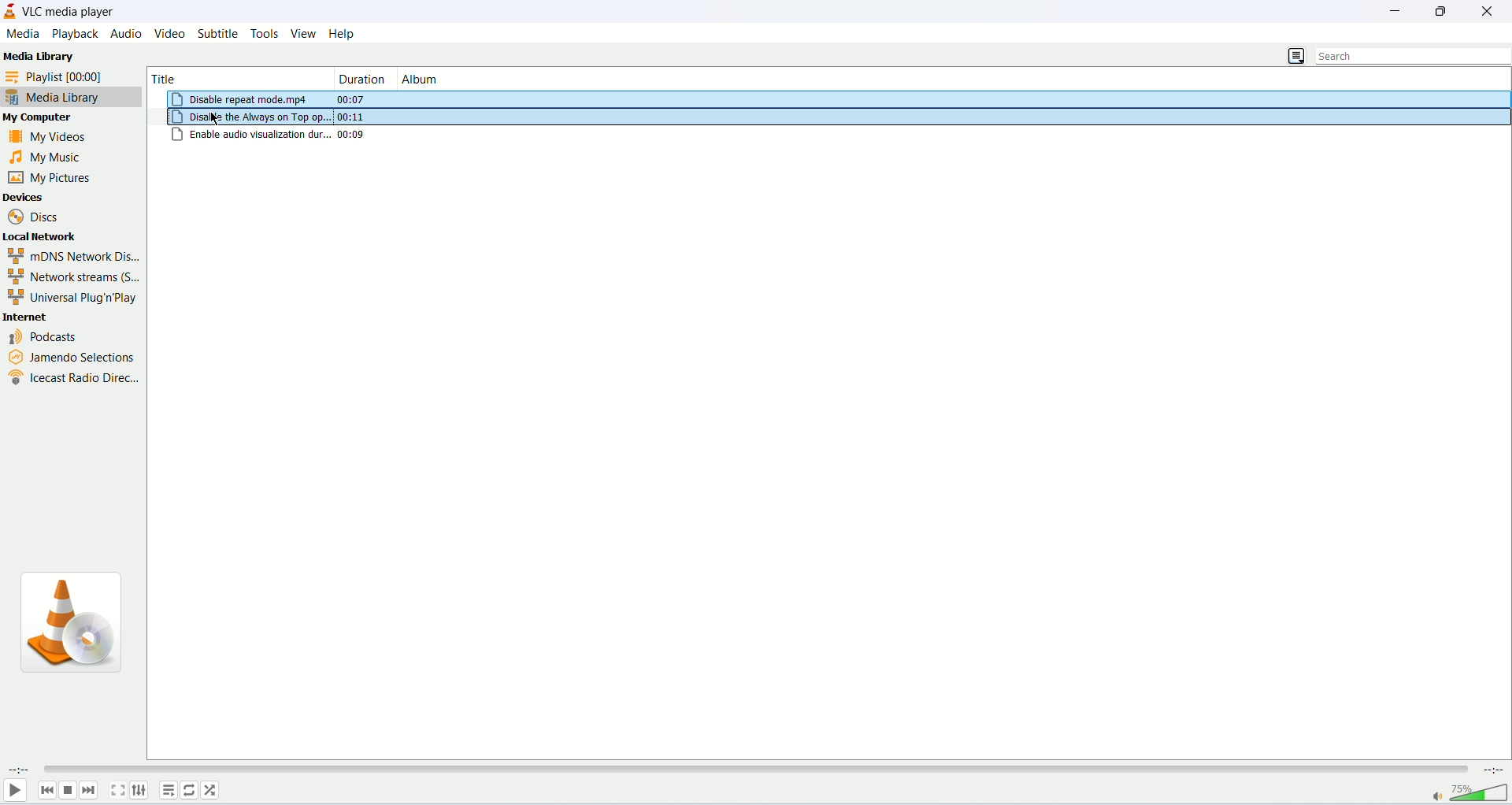 The image size is (1512, 805). What do you see at coordinates (354, 134) in the screenshot?
I see `00:09` at bounding box center [354, 134].